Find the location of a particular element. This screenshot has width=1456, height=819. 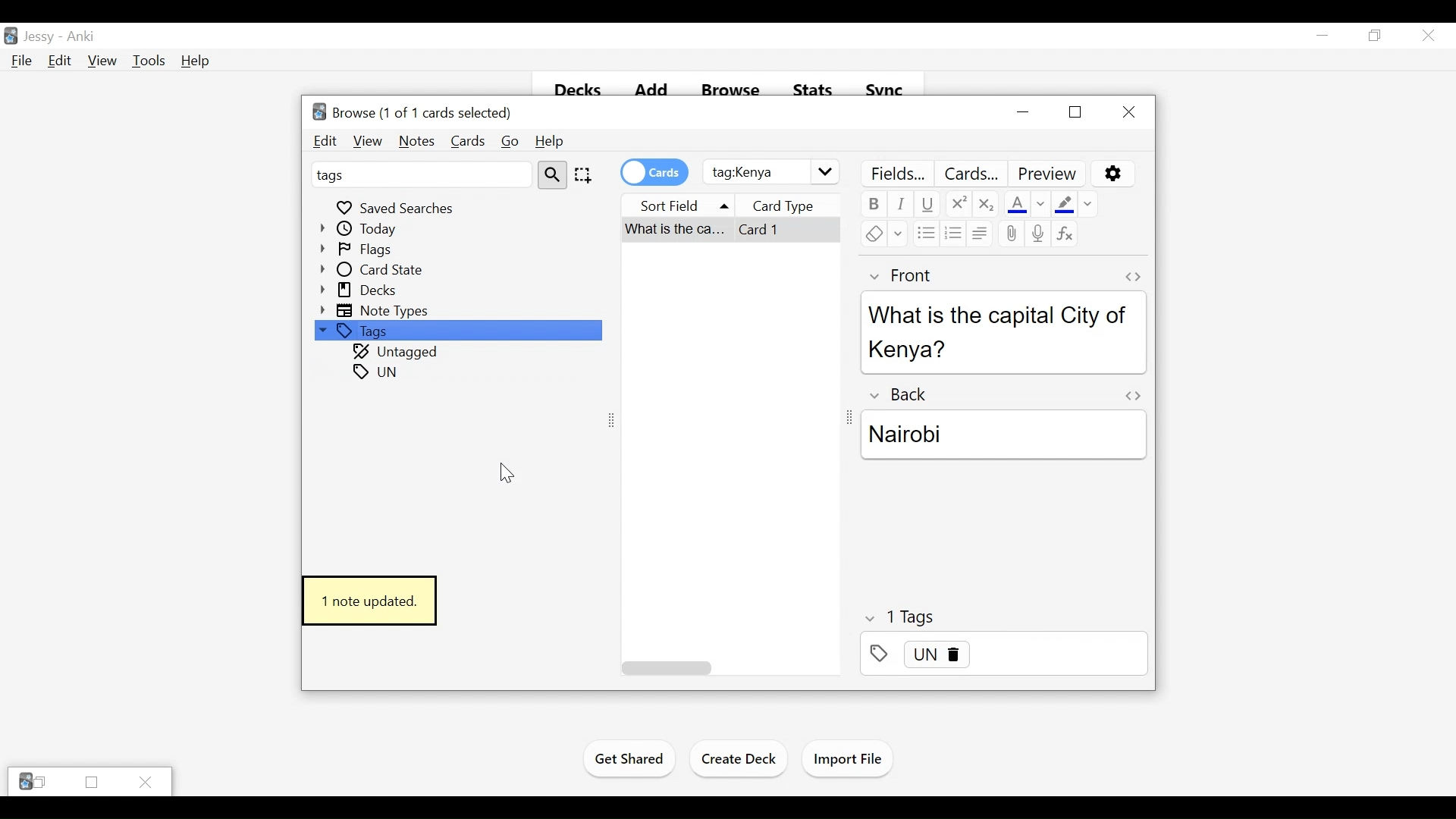

Toggle HTML Editor is located at coordinates (1132, 277).